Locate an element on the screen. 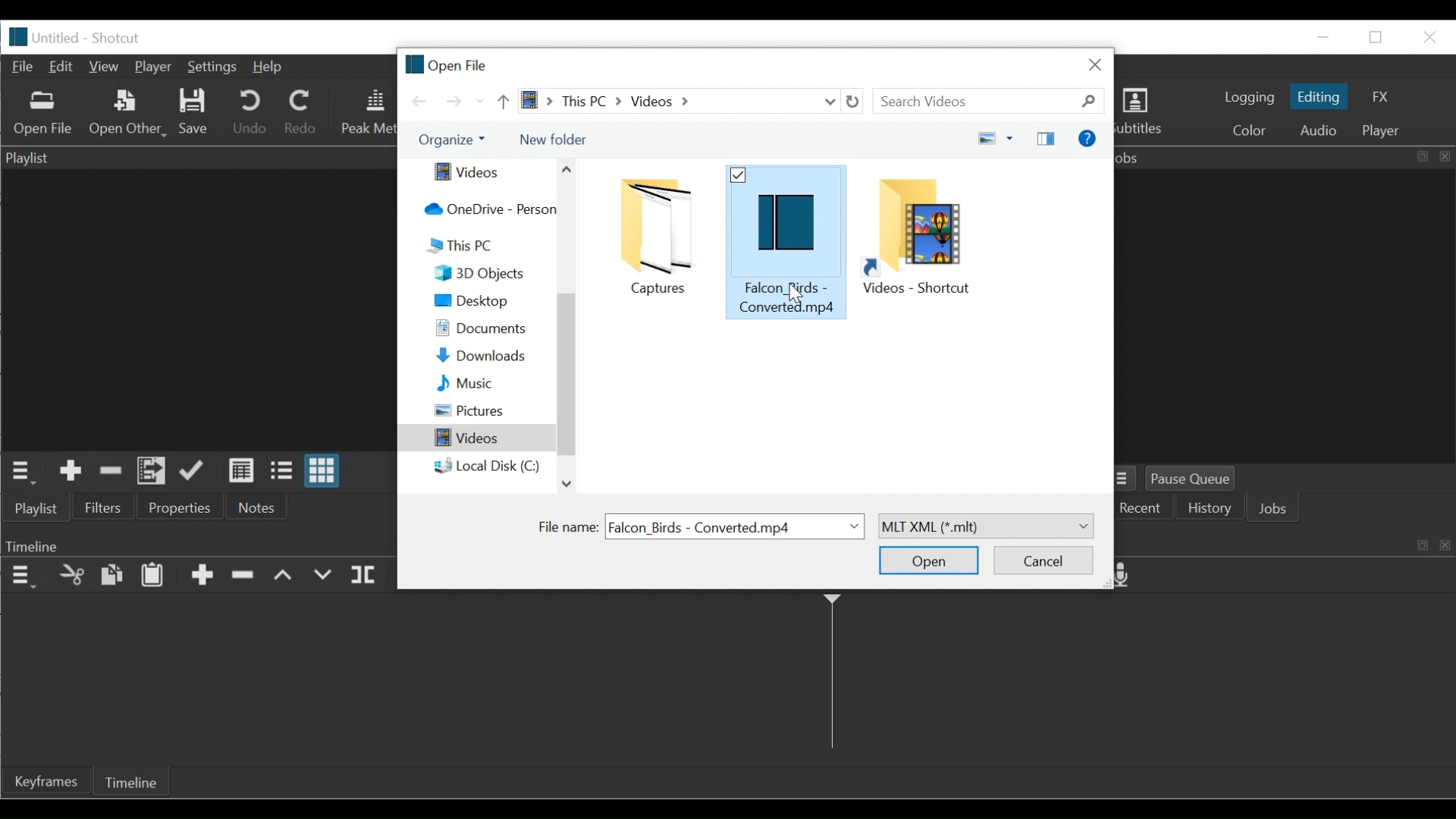 This screenshot has width=1456, height=819. Scroll down is located at coordinates (565, 483).